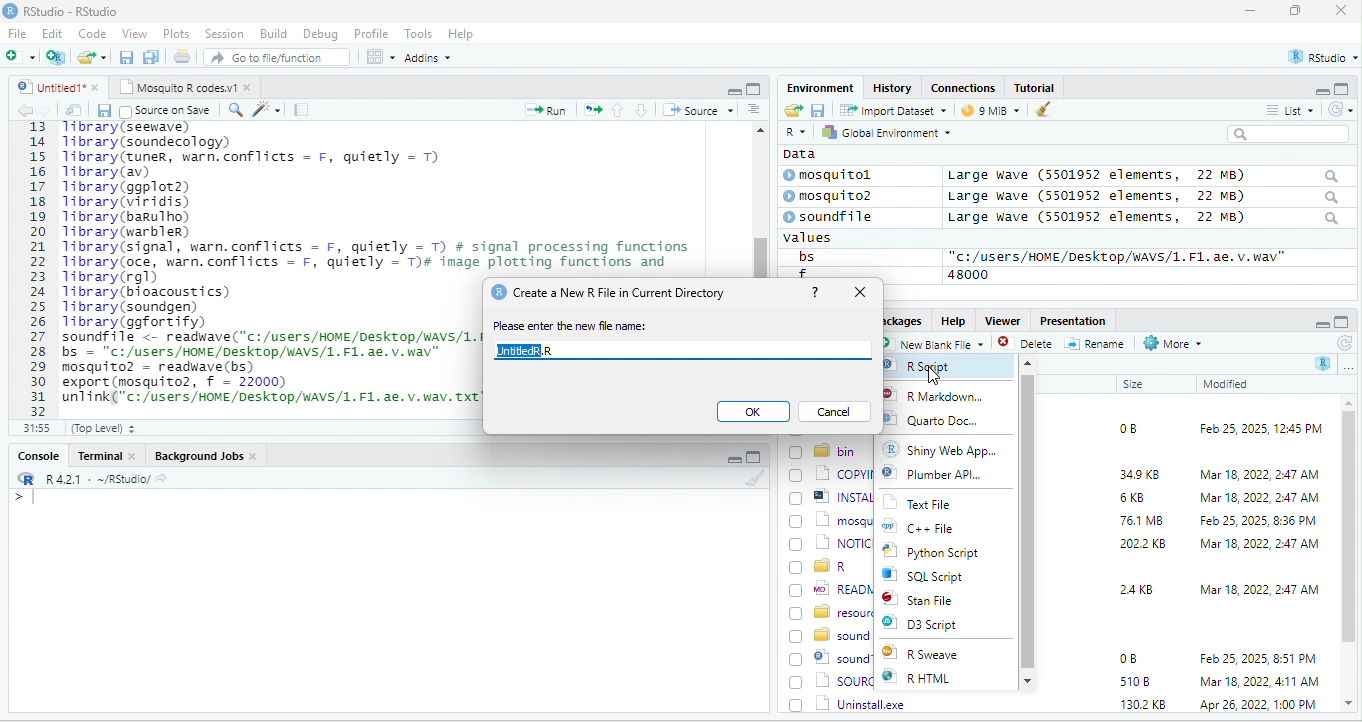  I want to click on open, so click(74, 110).